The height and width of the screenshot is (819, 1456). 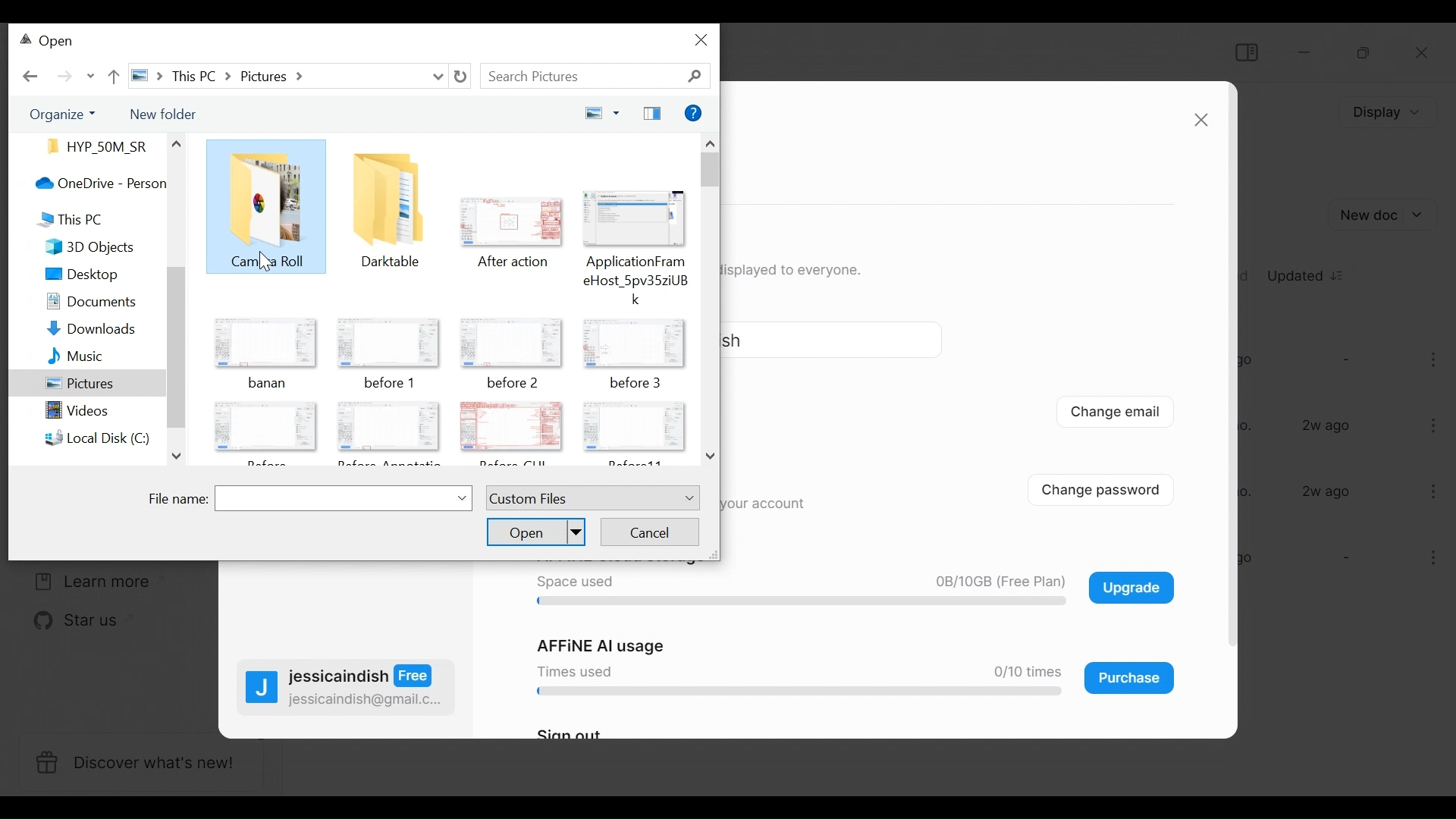 What do you see at coordinates (79, 248) in the screenshot?
I see `3D Objects` at bounding box center [79, 248].